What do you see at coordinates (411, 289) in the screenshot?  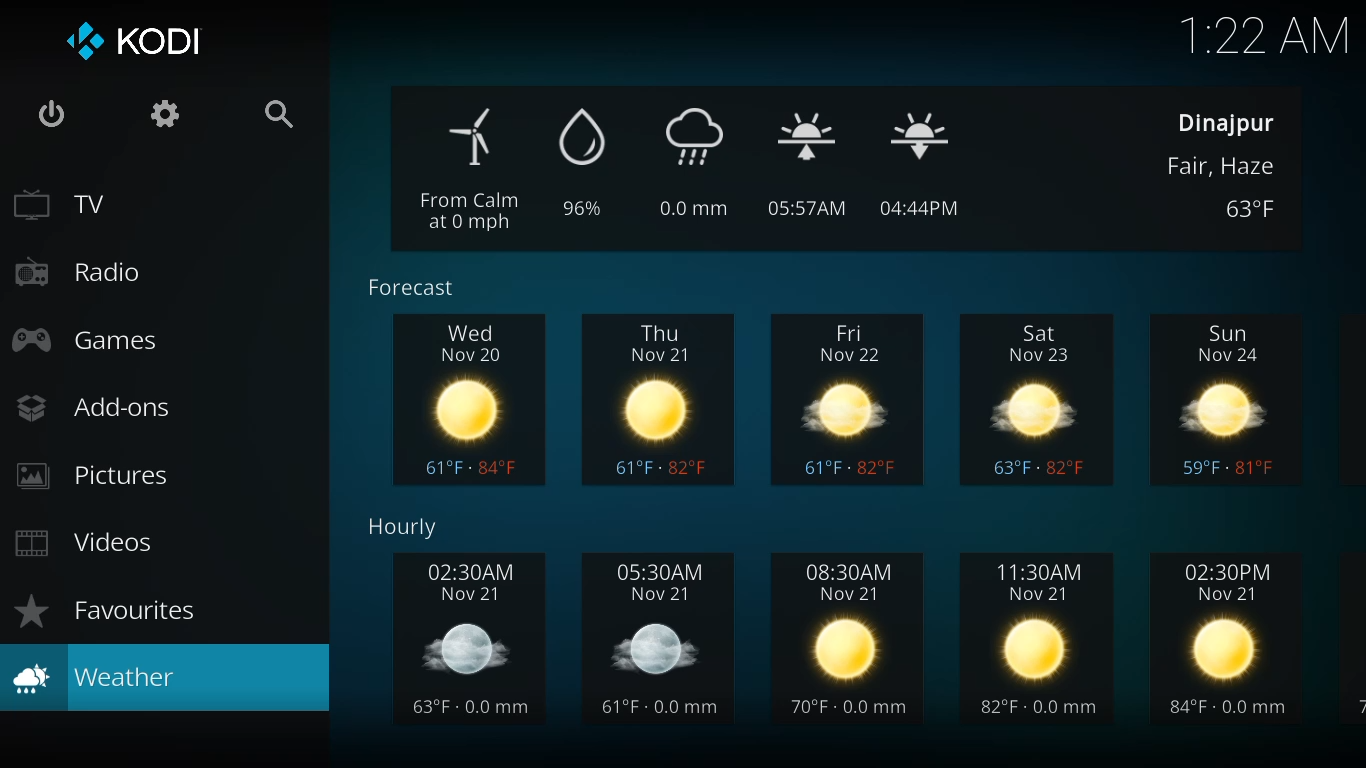 I see `forecast` at bounding box center [411, 289].